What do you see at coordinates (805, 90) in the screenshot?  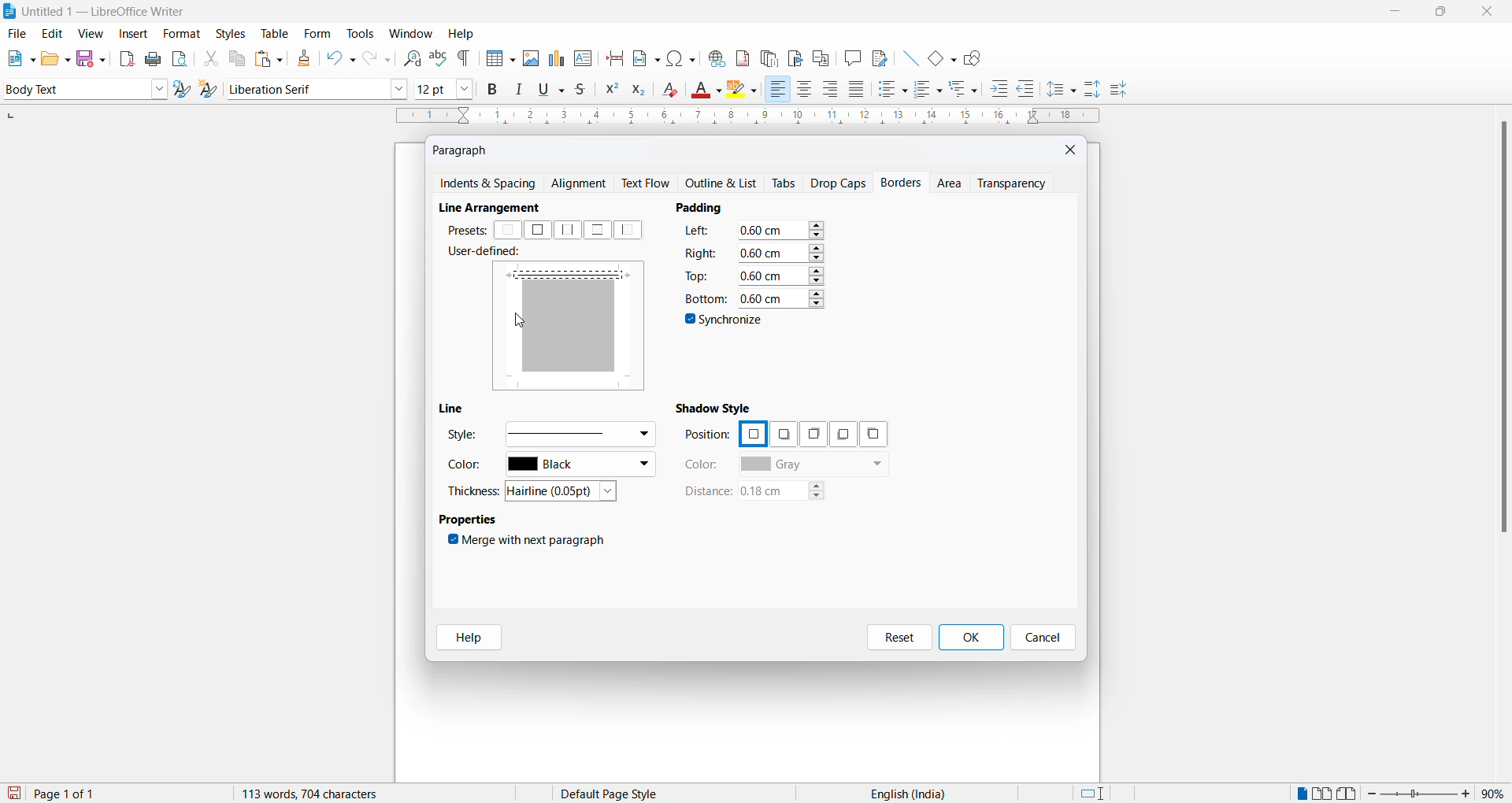 I see `text align center` at bounding box center [805, 90].